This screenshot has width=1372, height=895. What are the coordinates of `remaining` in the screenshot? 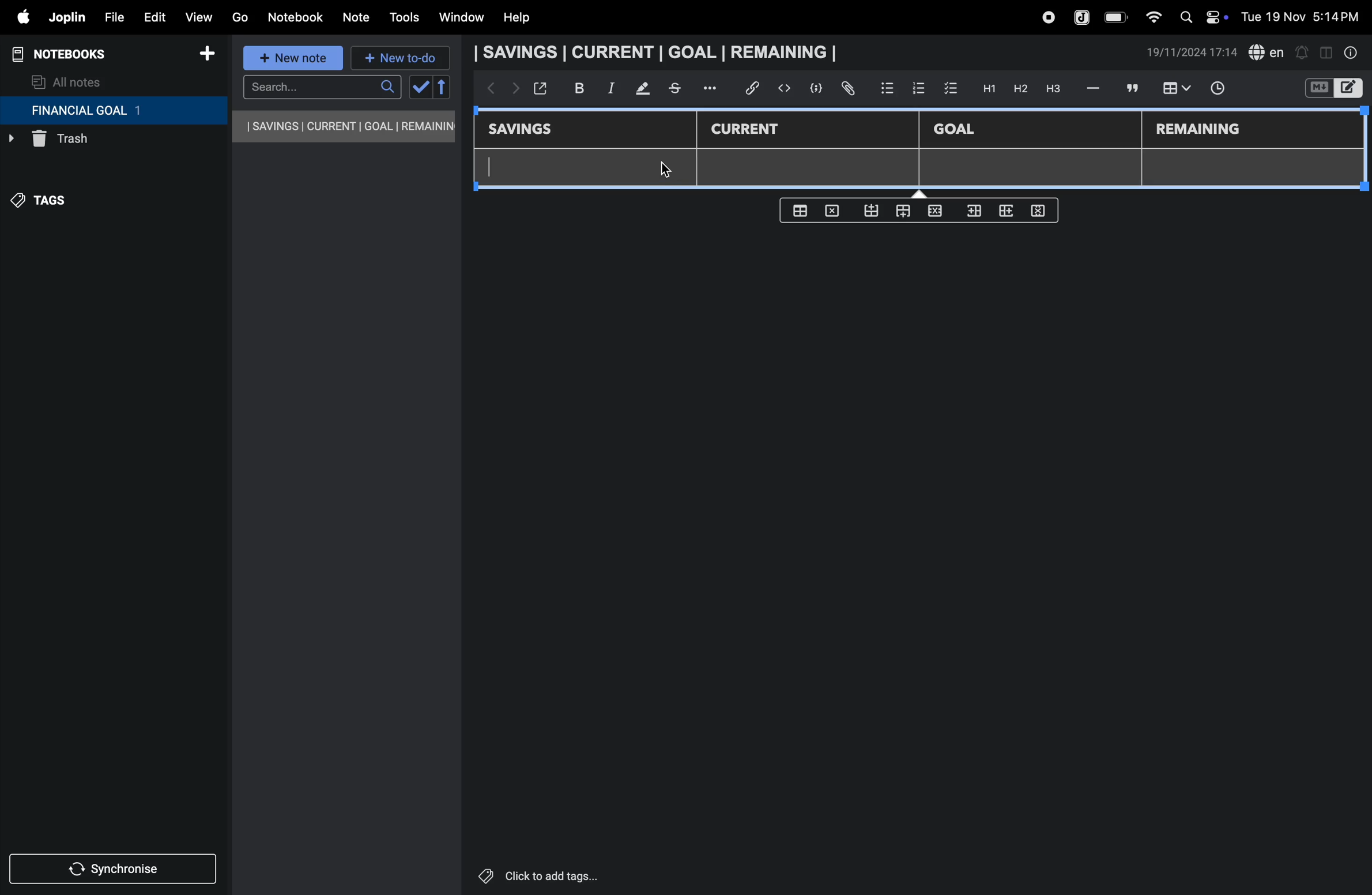 It's located at (1200, 130).